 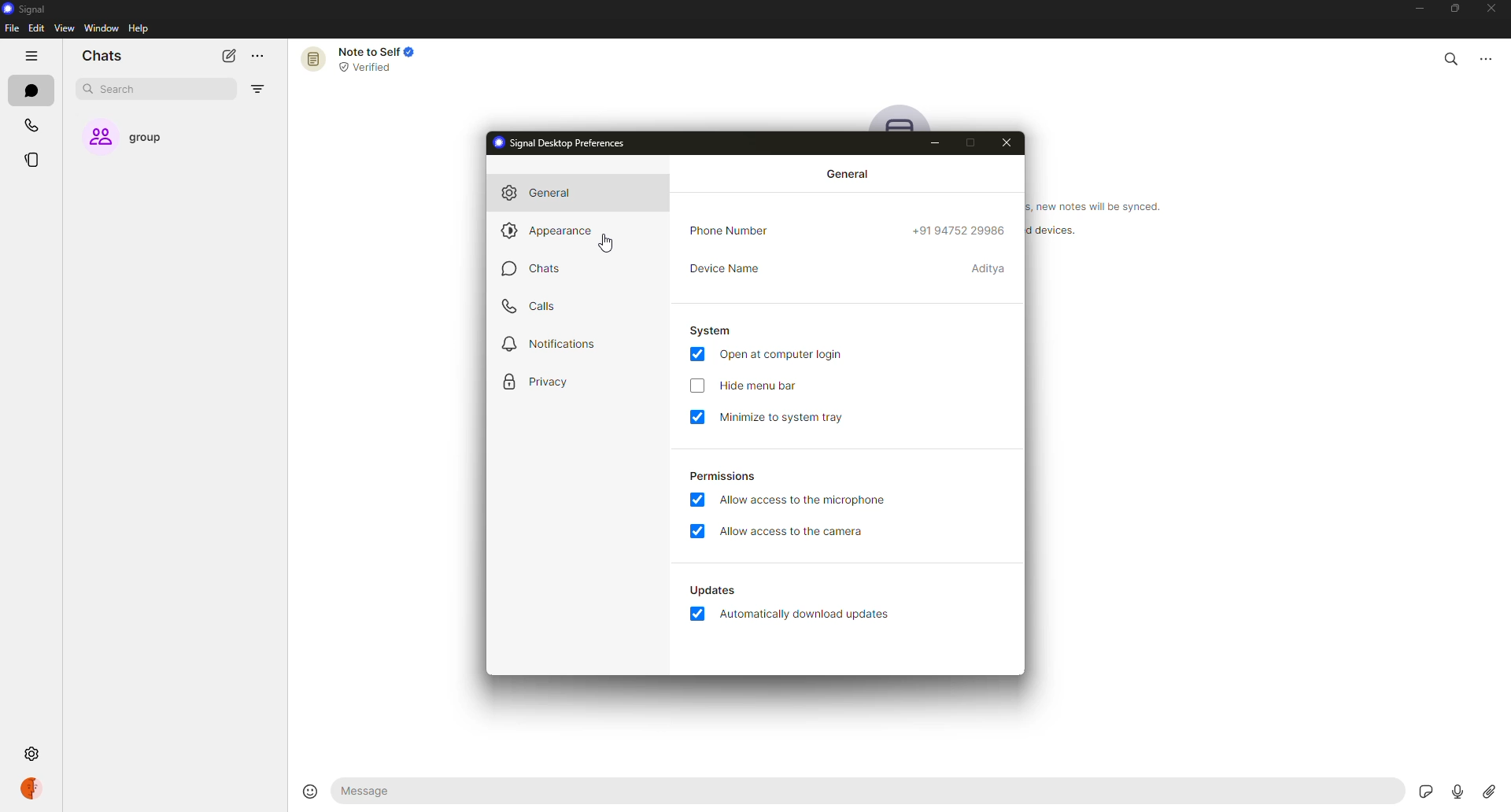 I want to click on settings, so click(x=104, y=754).